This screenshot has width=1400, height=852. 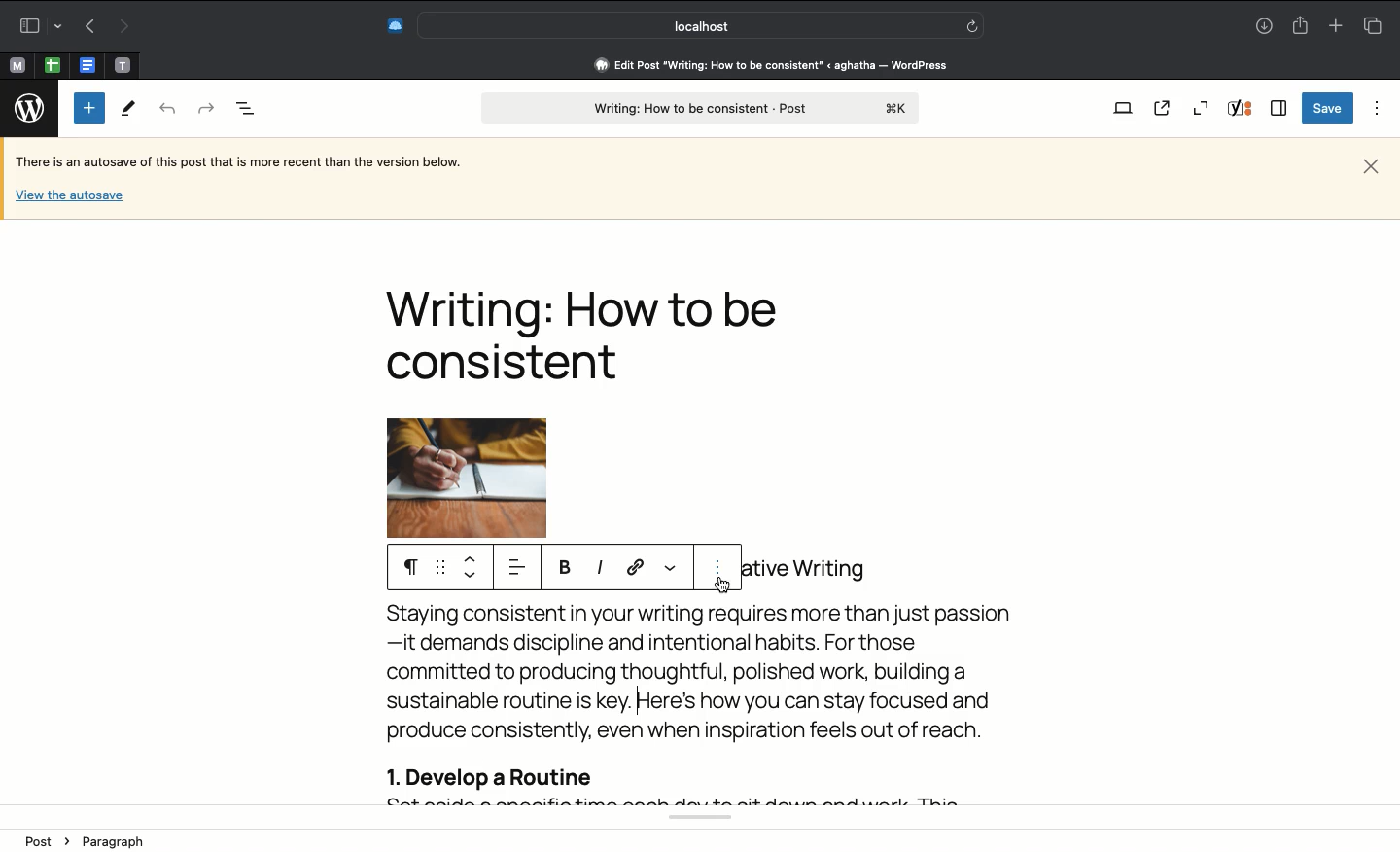 What do you see at coordinates (69, 194) in the screenshot?
I see `View the autosave` at bounding box center [69, 194].